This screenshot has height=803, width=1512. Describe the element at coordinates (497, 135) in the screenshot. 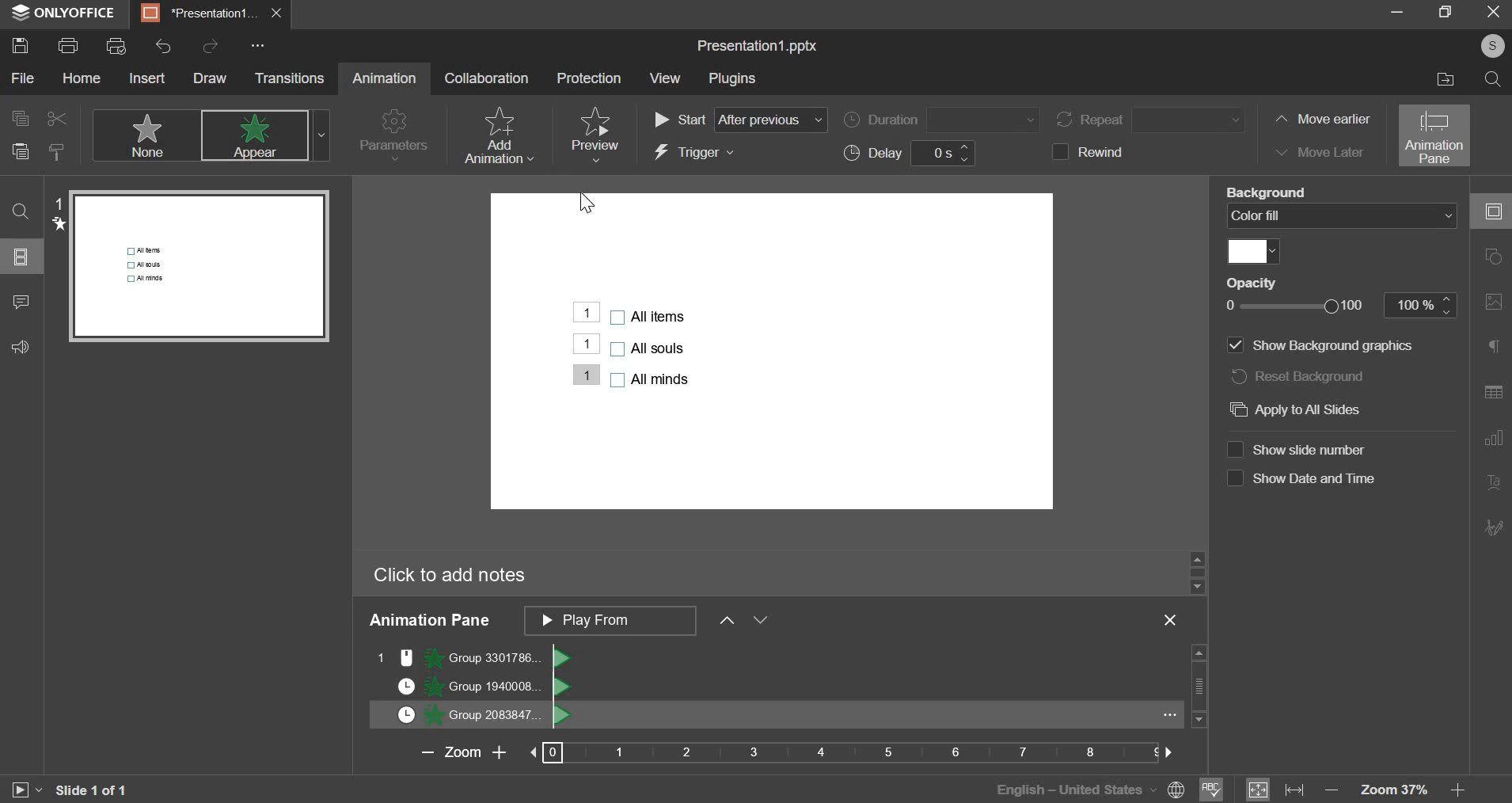

I see `add animation` at that location.